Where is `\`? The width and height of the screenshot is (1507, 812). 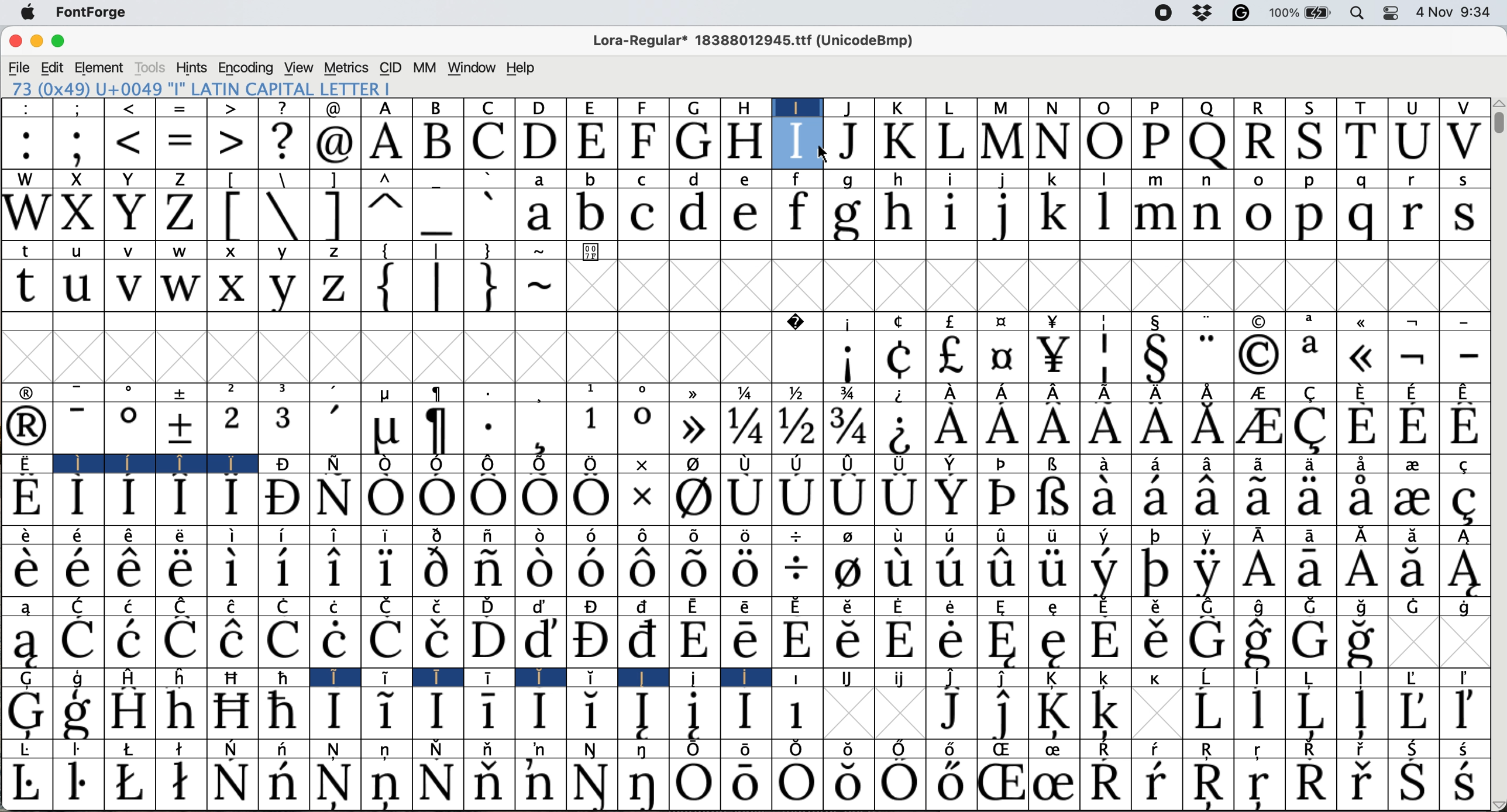
\ is located at coordinates (282, 179).